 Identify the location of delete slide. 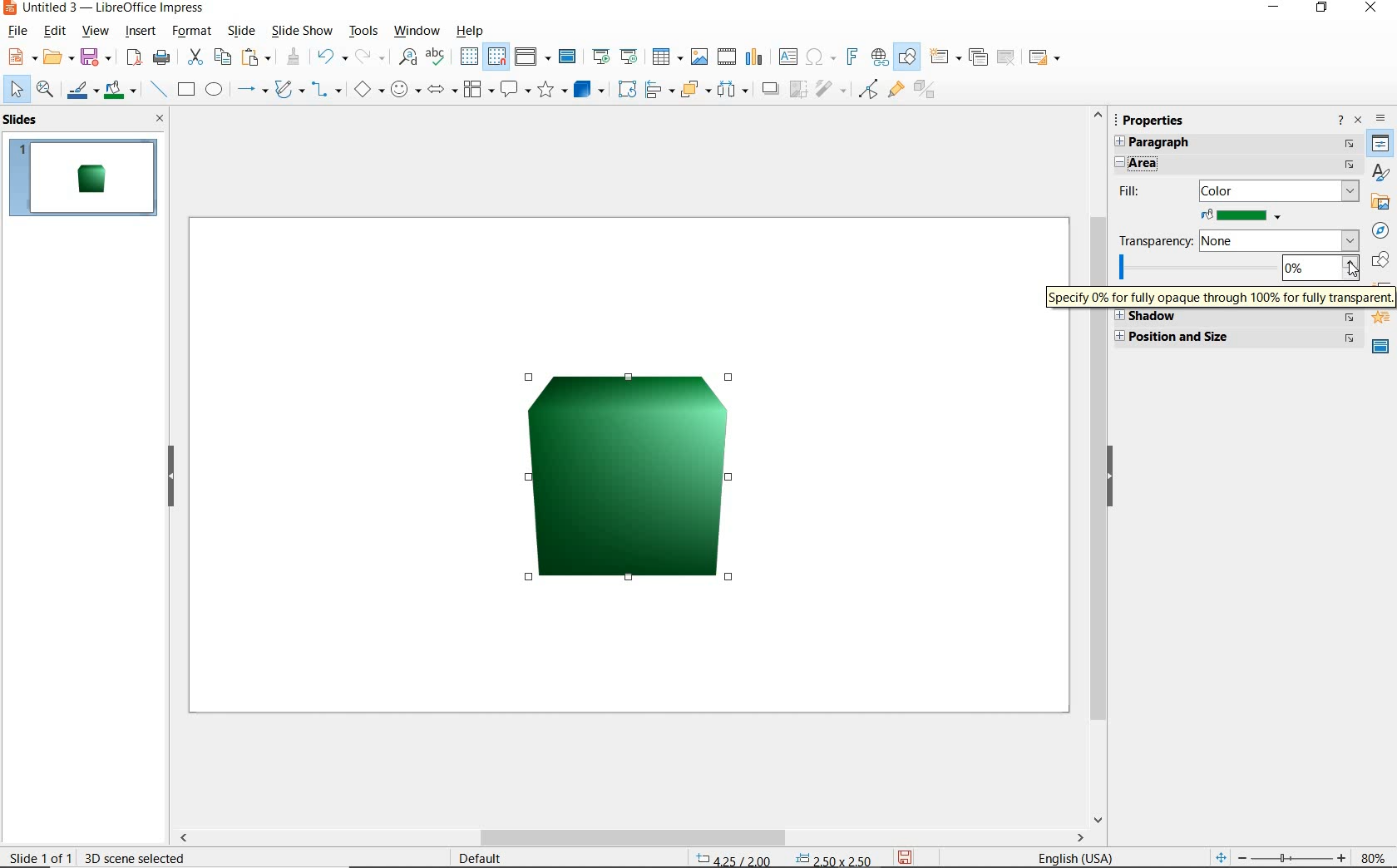
(1007, 57).